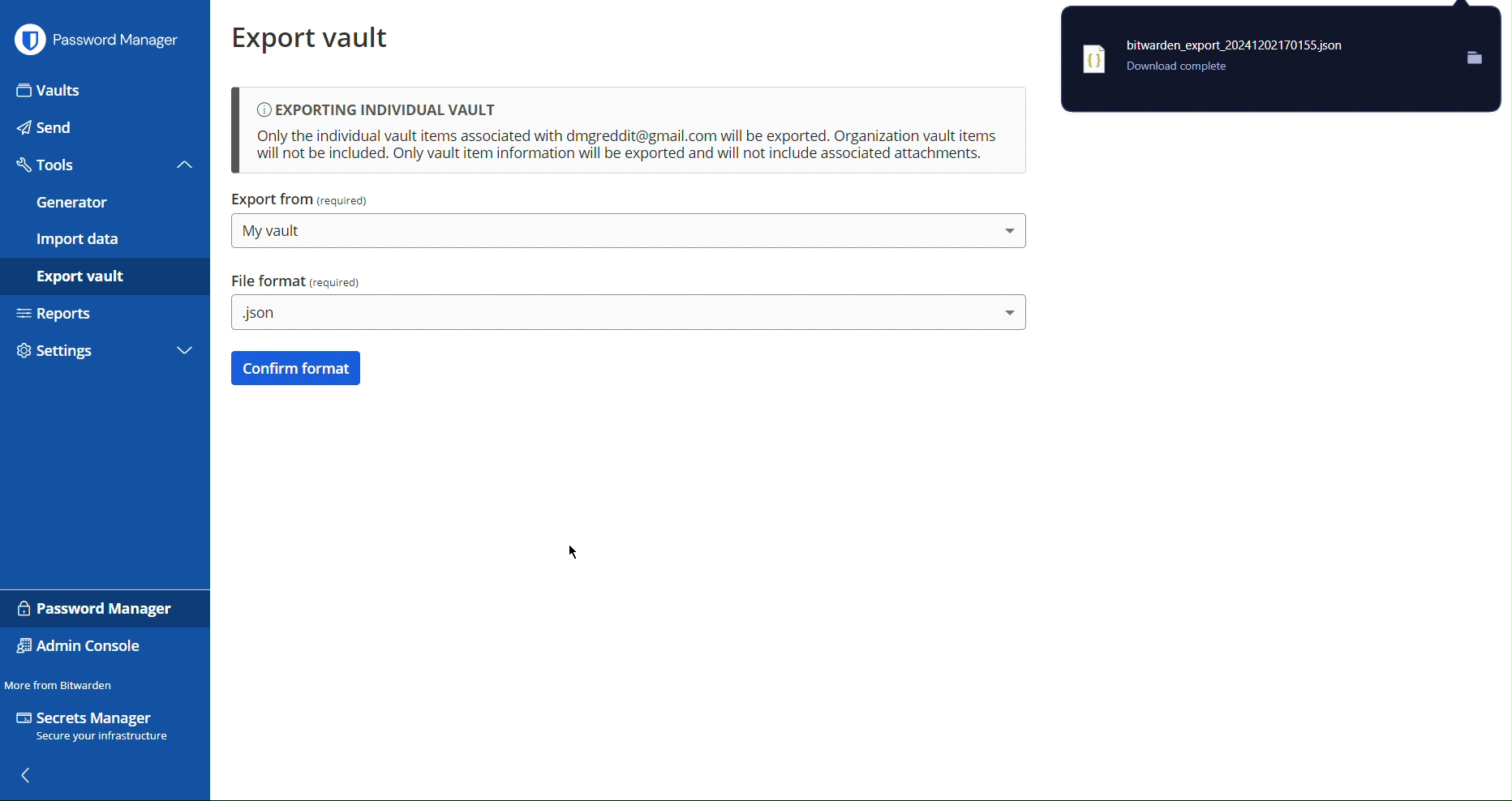 This screenshot has width=1512, height=801. I want to click on Admin Console, so click(85, 647).